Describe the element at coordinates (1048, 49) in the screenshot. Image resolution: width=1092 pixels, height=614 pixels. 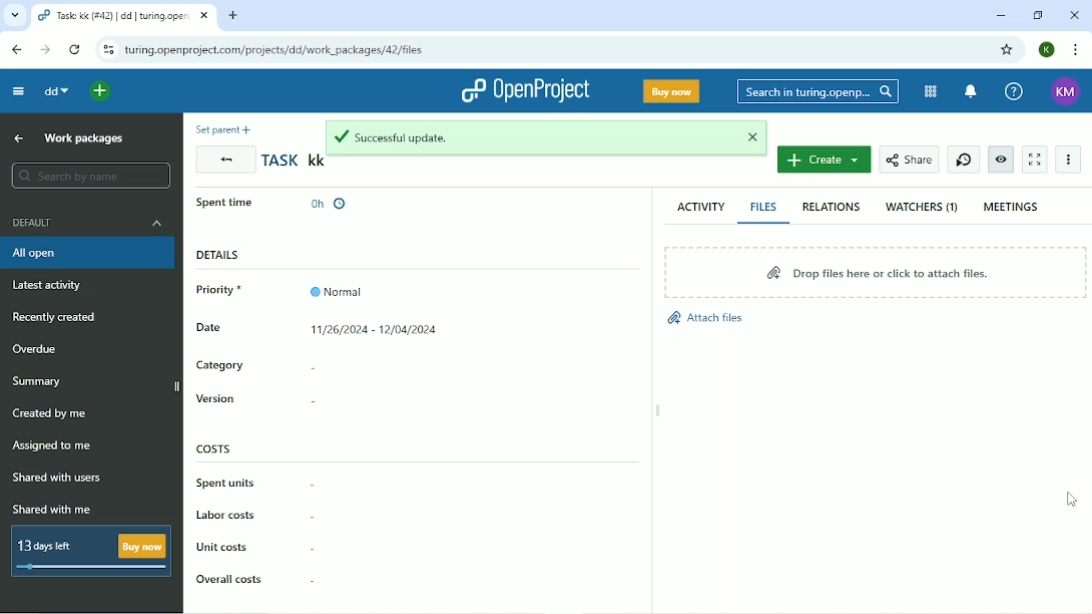
I see `K` at that location.